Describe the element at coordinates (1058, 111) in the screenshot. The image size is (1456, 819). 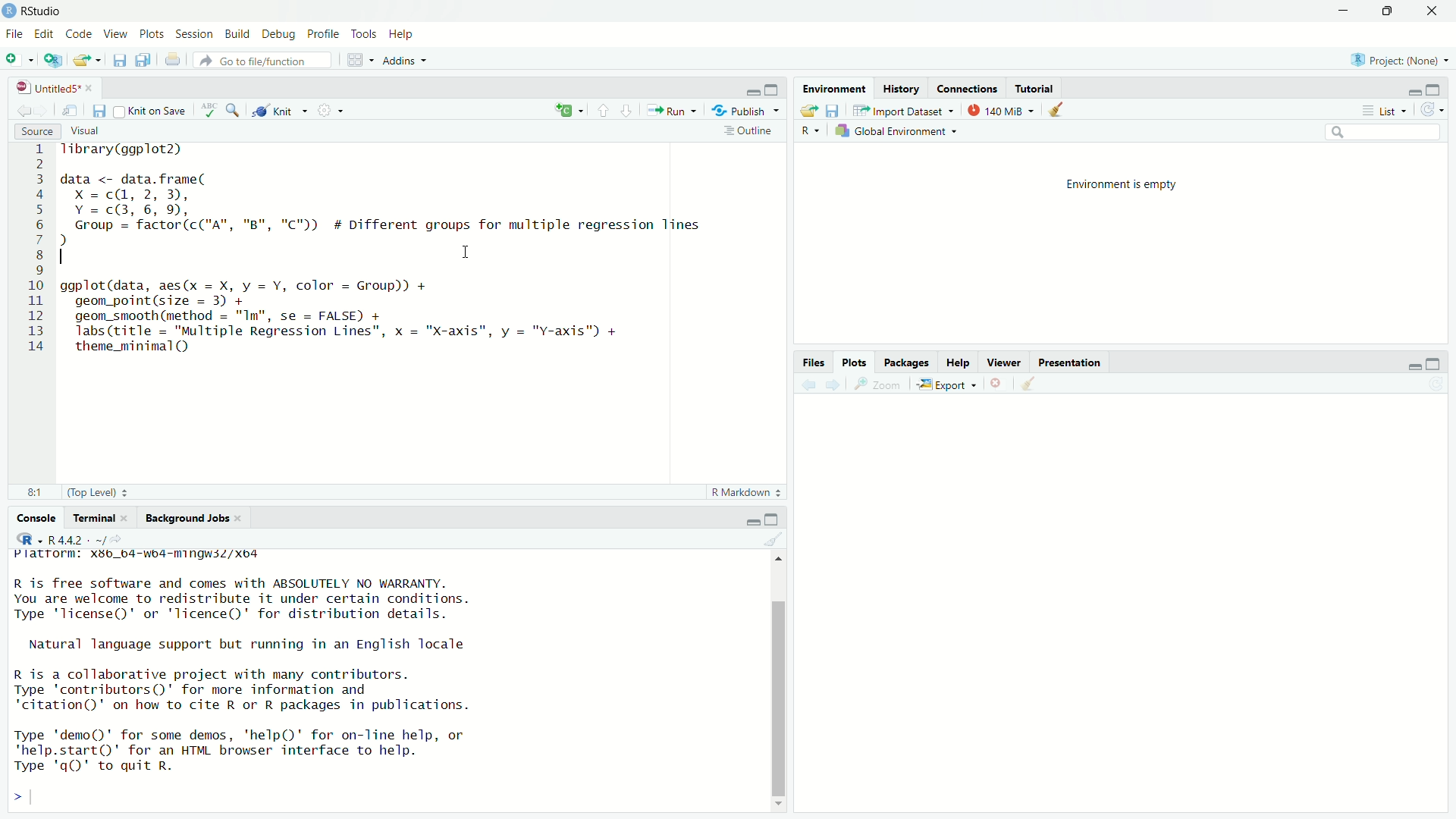
I see `clear` at that location.